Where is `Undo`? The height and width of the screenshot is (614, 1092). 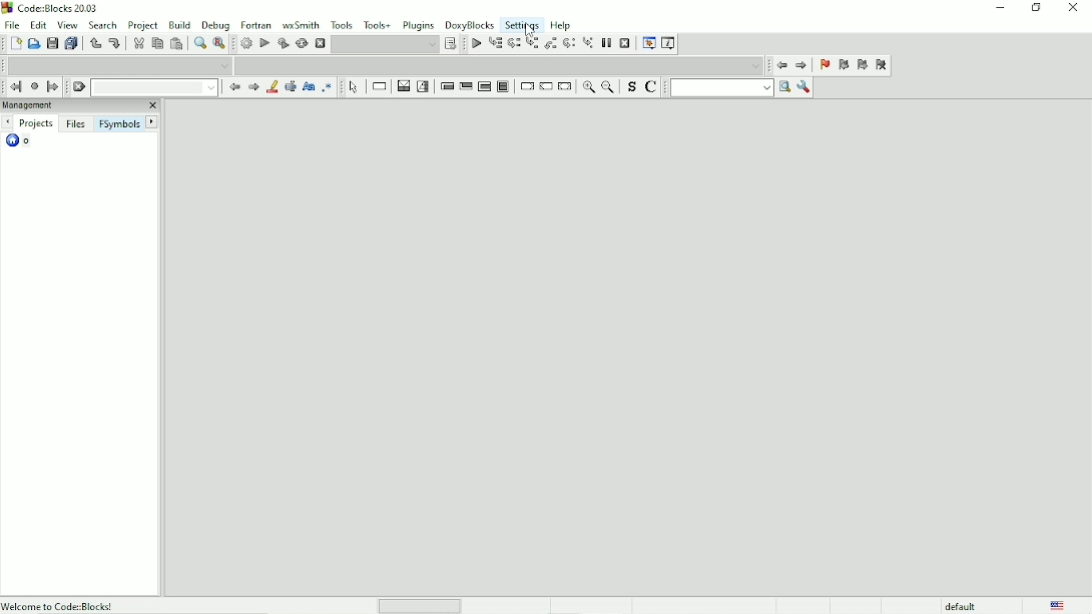
Undo is located at coordinates (93, 43).